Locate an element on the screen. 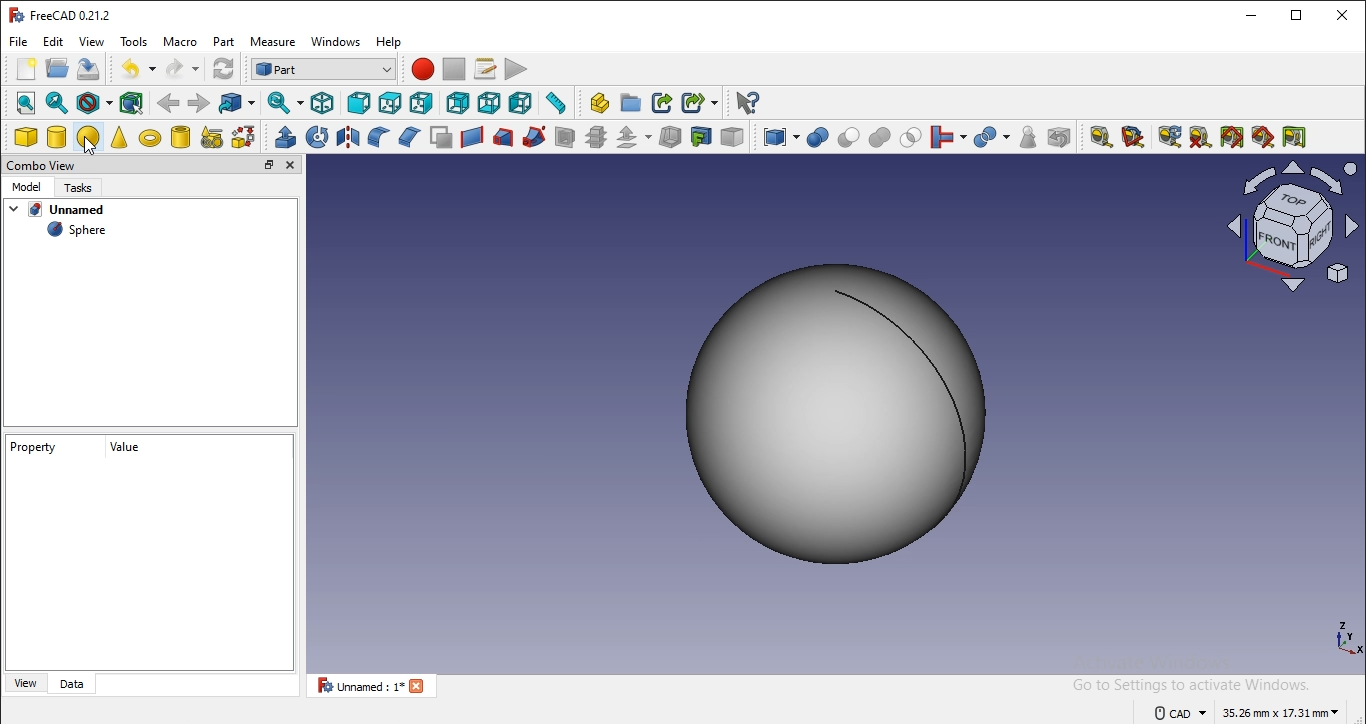 The width and height of the screenshot is (1366, 724). property is located at coordinates (37, 447).